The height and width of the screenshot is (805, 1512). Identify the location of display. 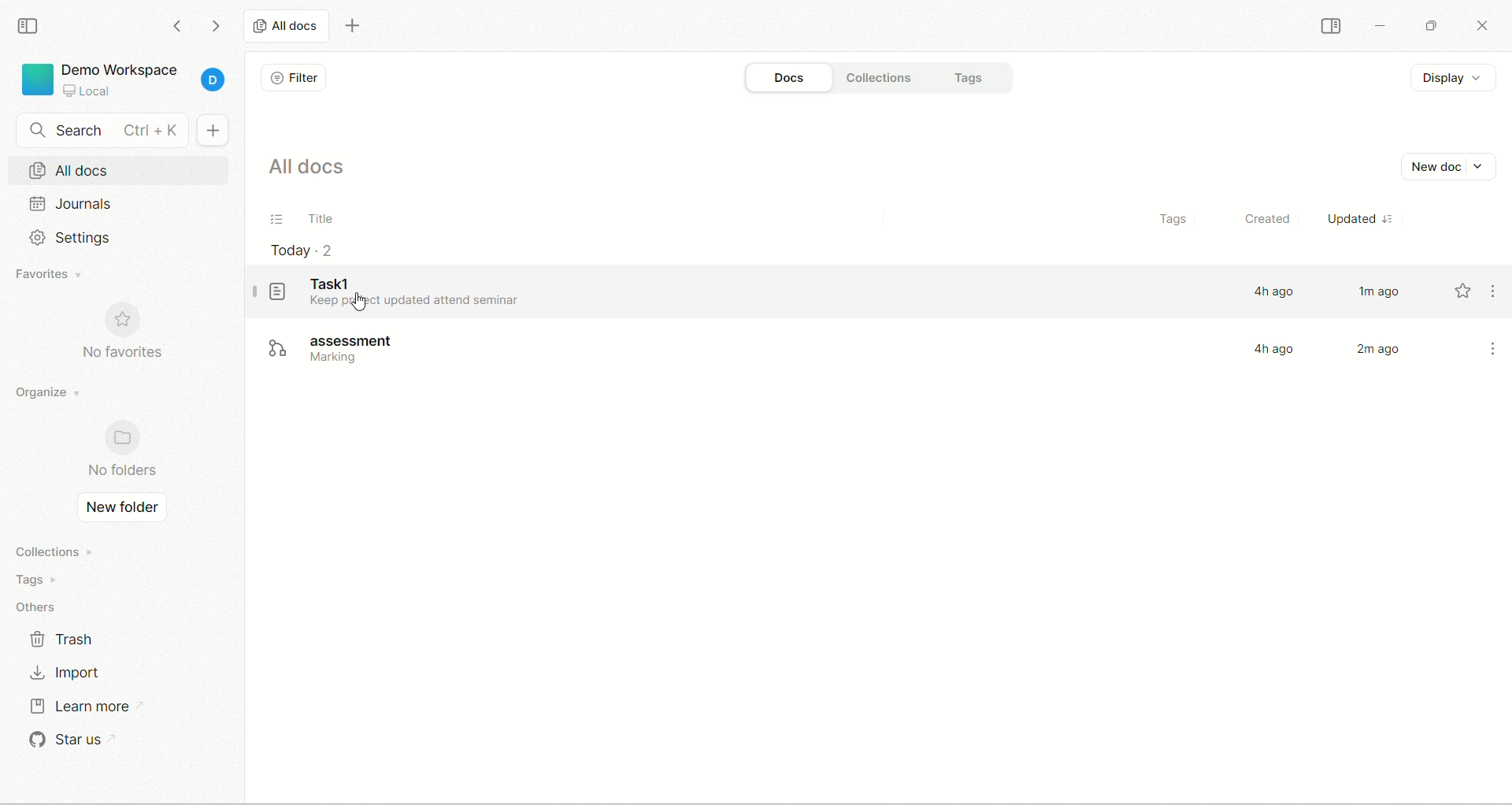
(1445, 76).